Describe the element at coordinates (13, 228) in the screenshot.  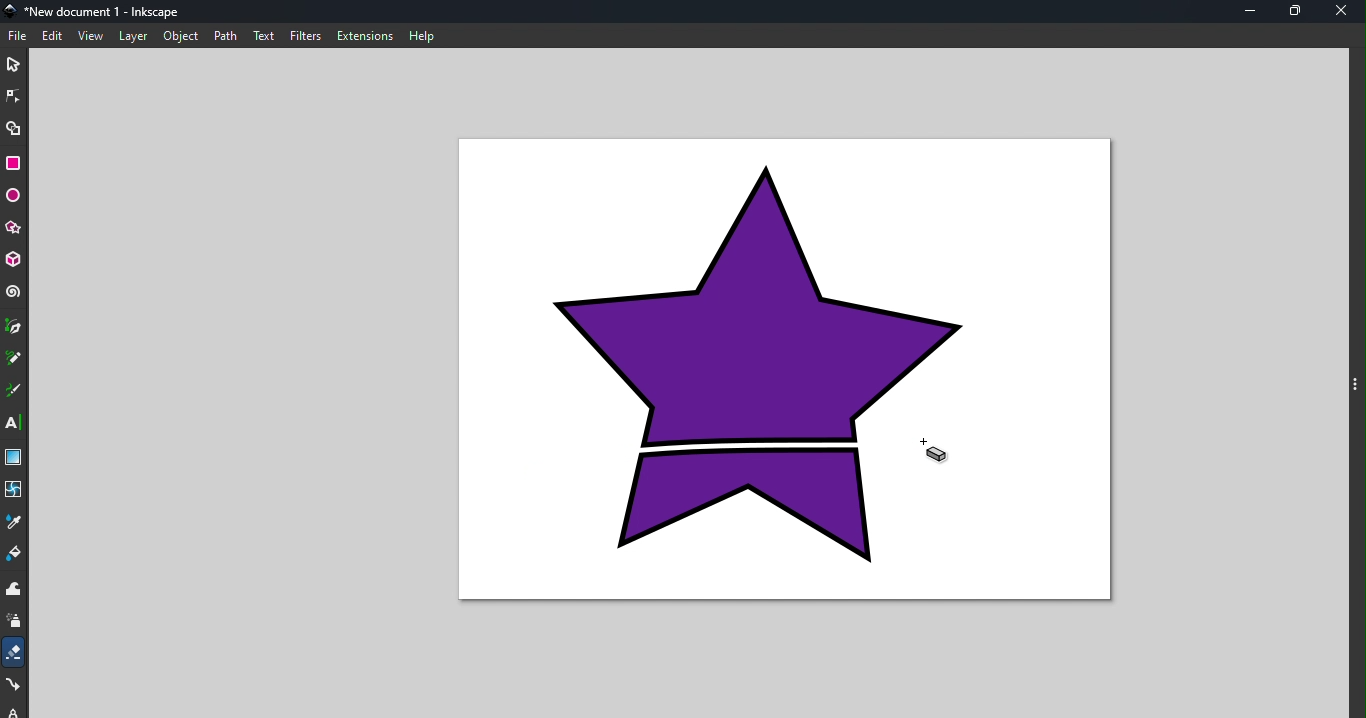
I see `star/polygon` at that location.